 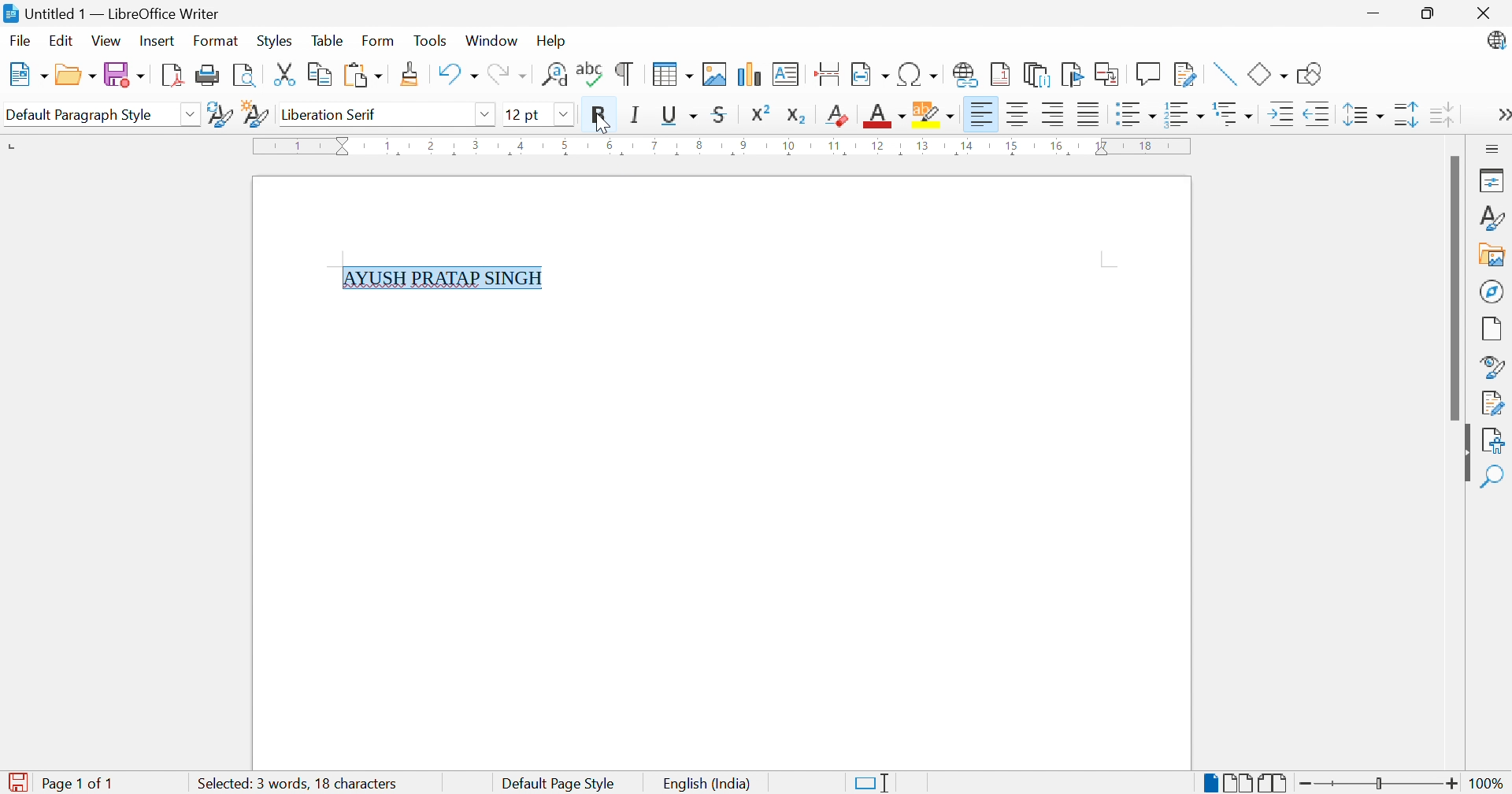 I want to click on Insert Chart, so click(x=749, y=74).